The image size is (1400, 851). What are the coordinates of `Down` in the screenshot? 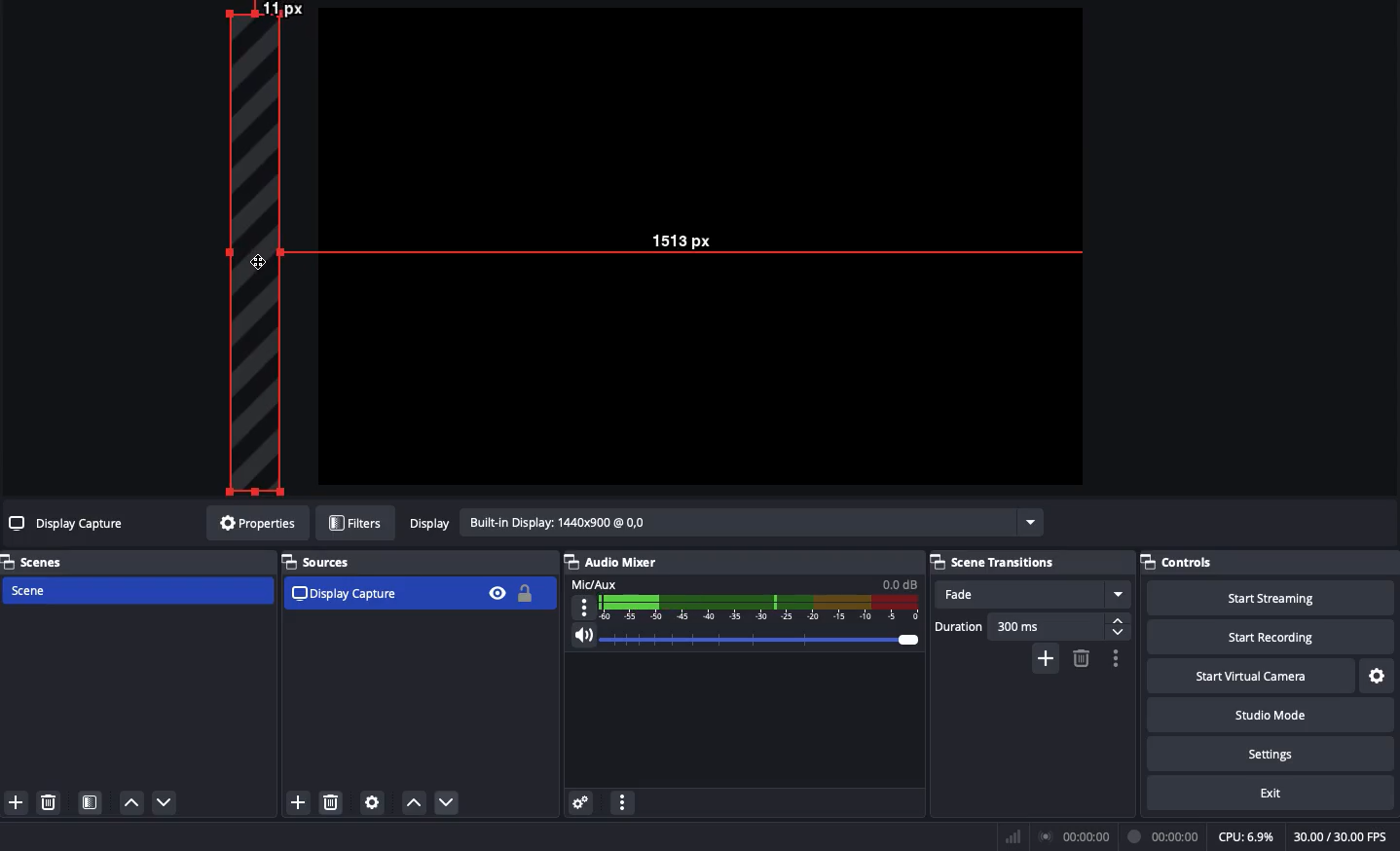 It's located at (451, 804).